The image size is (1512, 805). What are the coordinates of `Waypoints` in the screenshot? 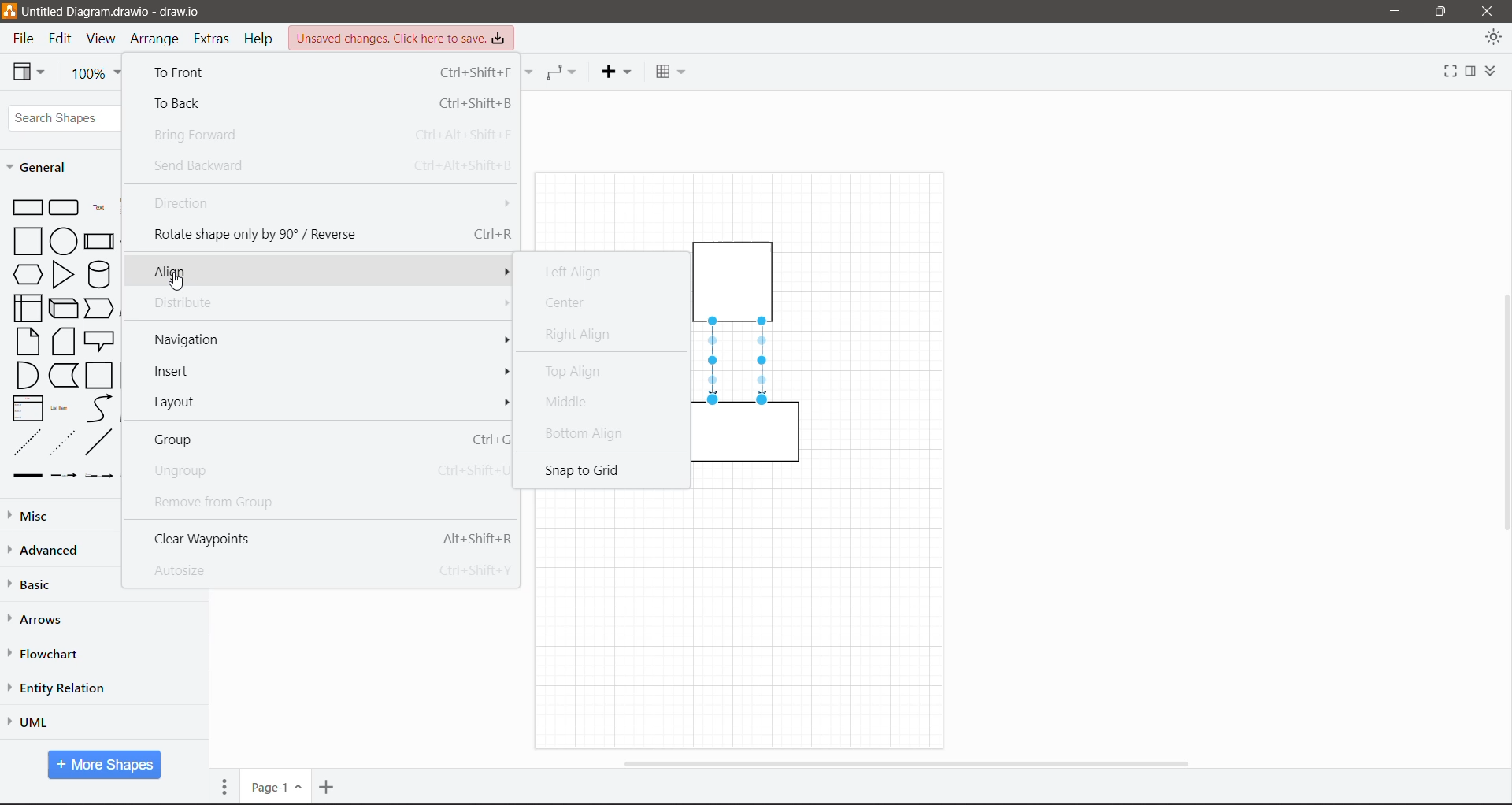 It's located at (562, 72).